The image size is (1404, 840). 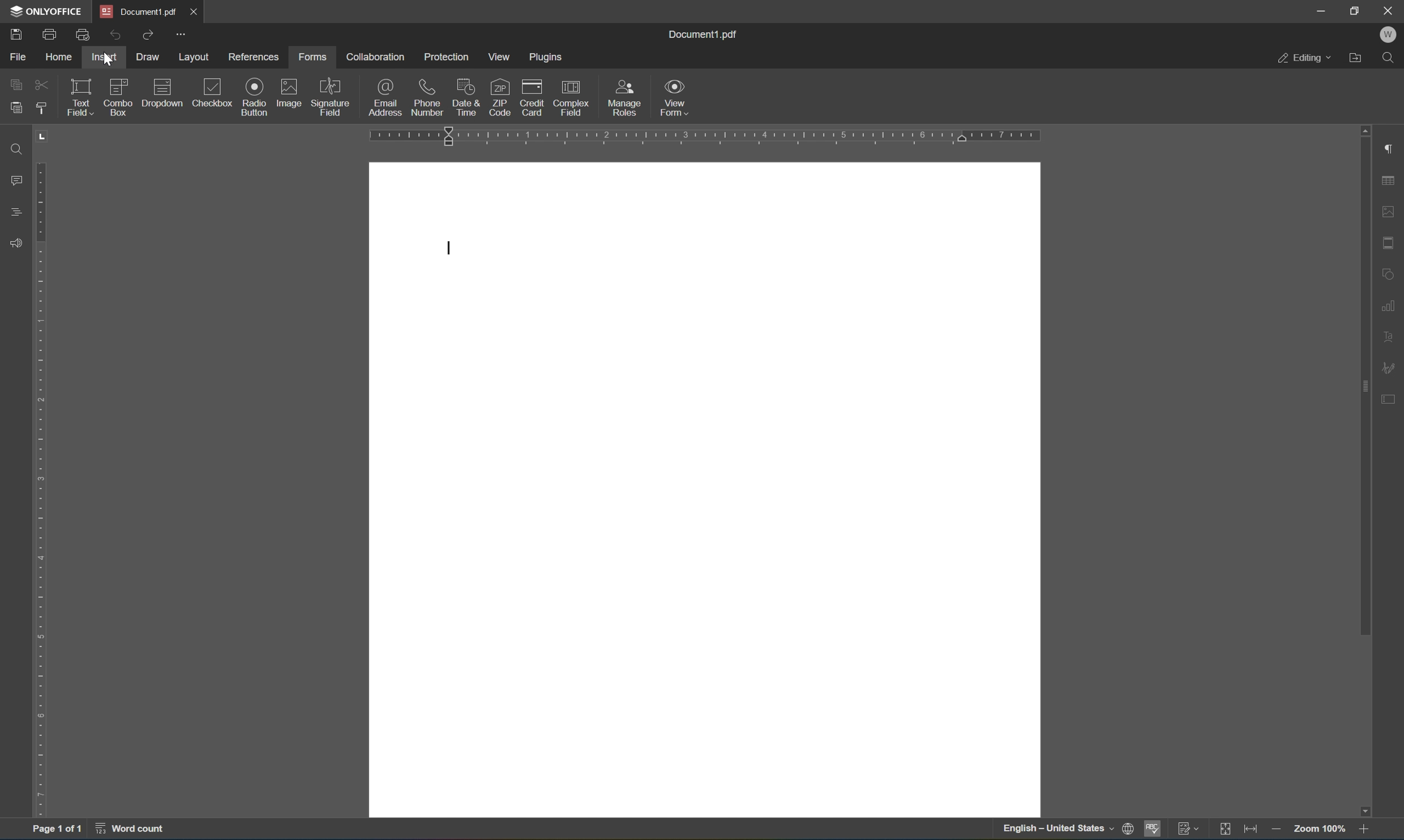 I want to click on signature settings, so click(x=1387, y=367).